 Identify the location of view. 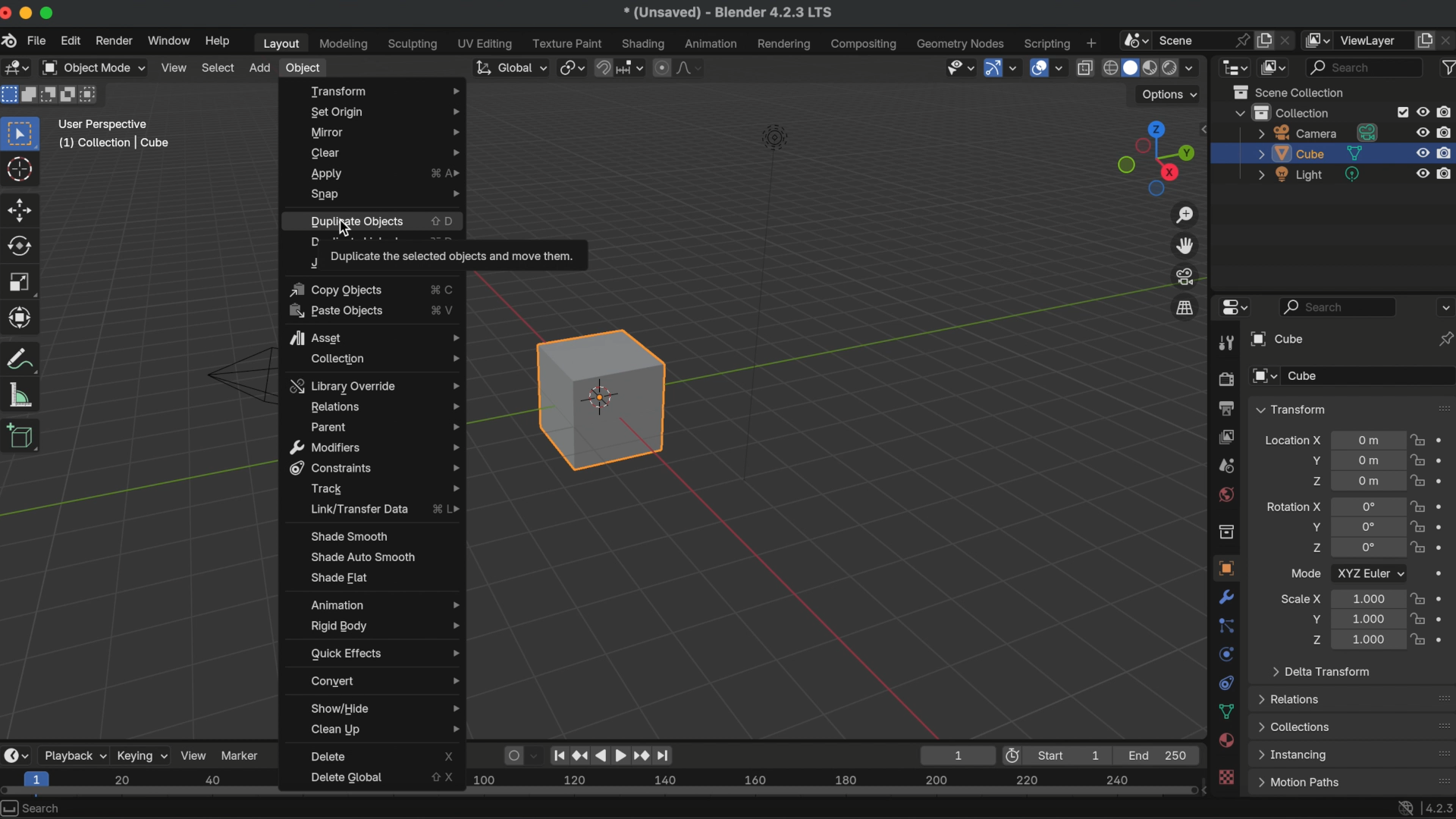
(174, 67).